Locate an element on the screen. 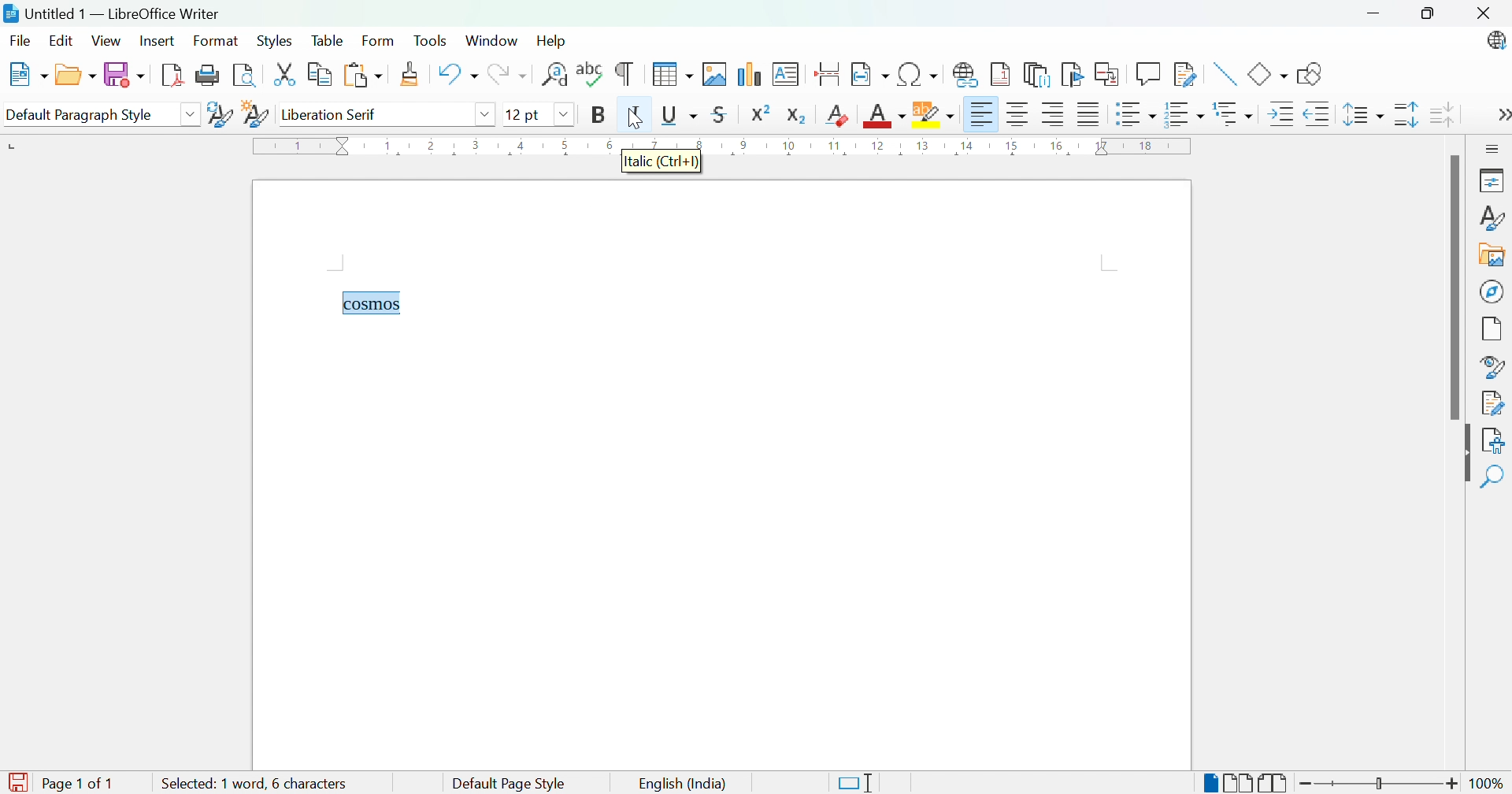  Tools is located at coordinates (433, 41).